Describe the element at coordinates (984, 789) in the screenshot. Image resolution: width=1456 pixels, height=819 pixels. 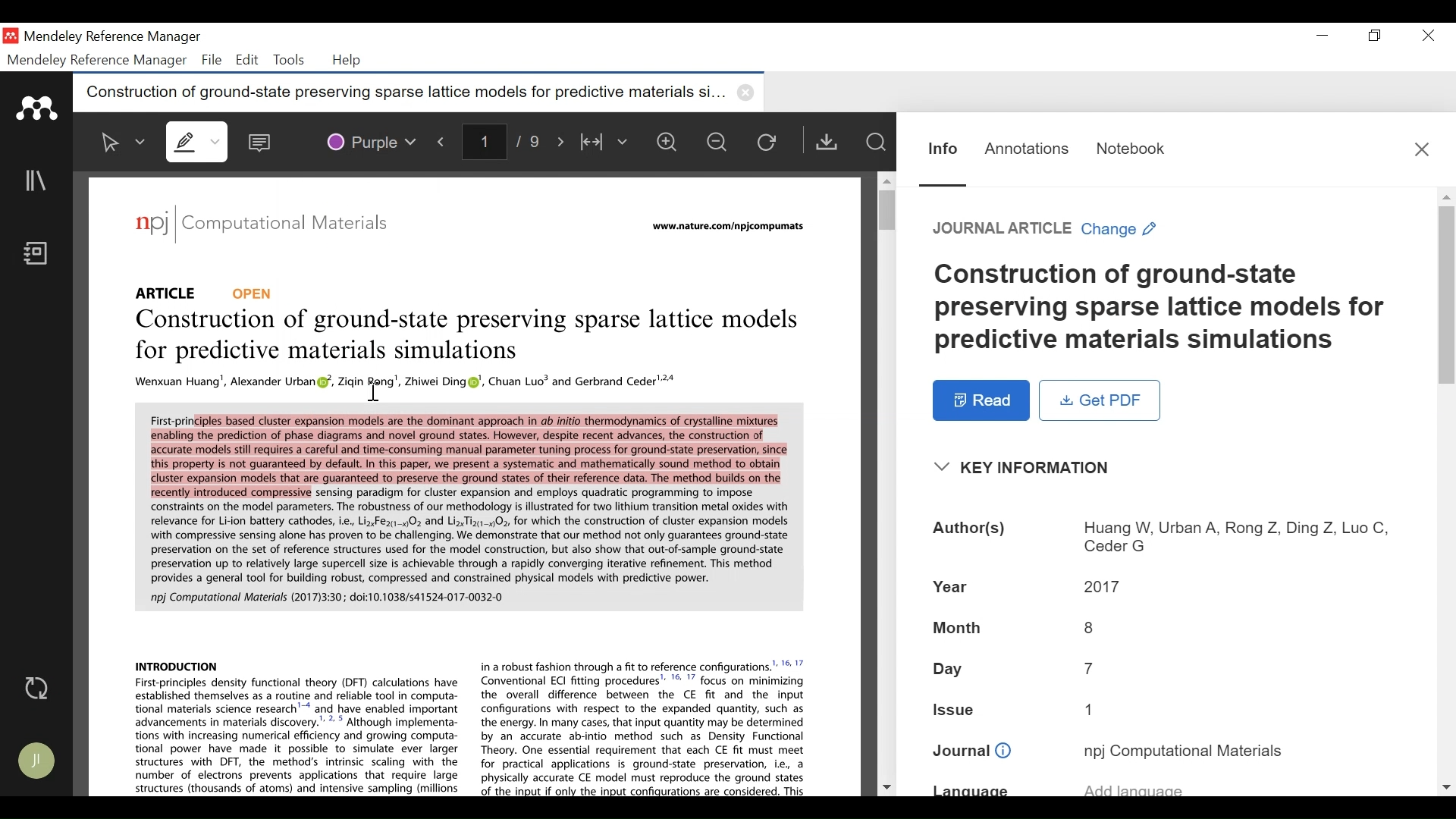
I see `Language` at that location.